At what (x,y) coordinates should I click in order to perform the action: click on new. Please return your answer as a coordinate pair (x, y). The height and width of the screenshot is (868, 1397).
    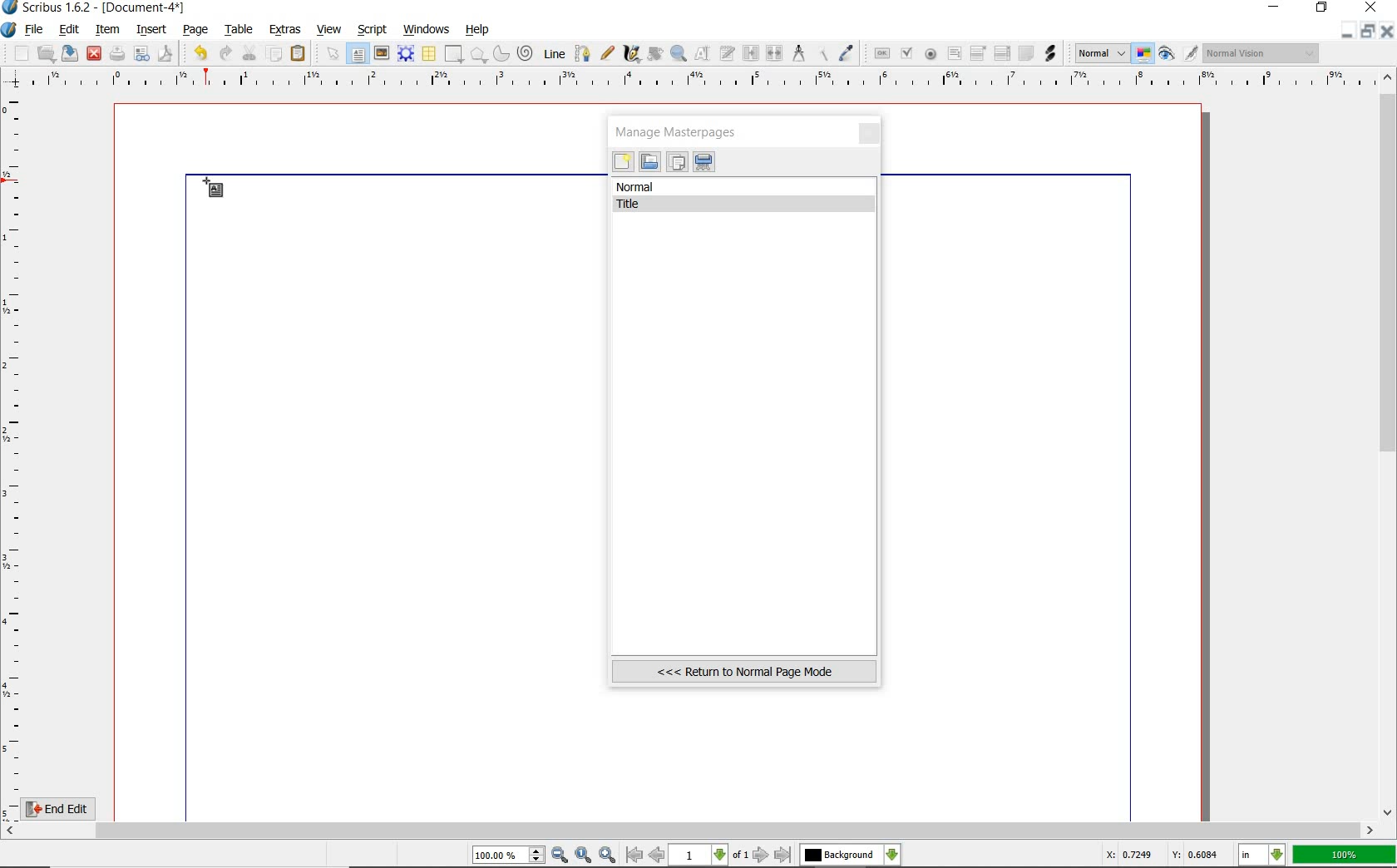
    Looking at the image, I should click on (16, 53).